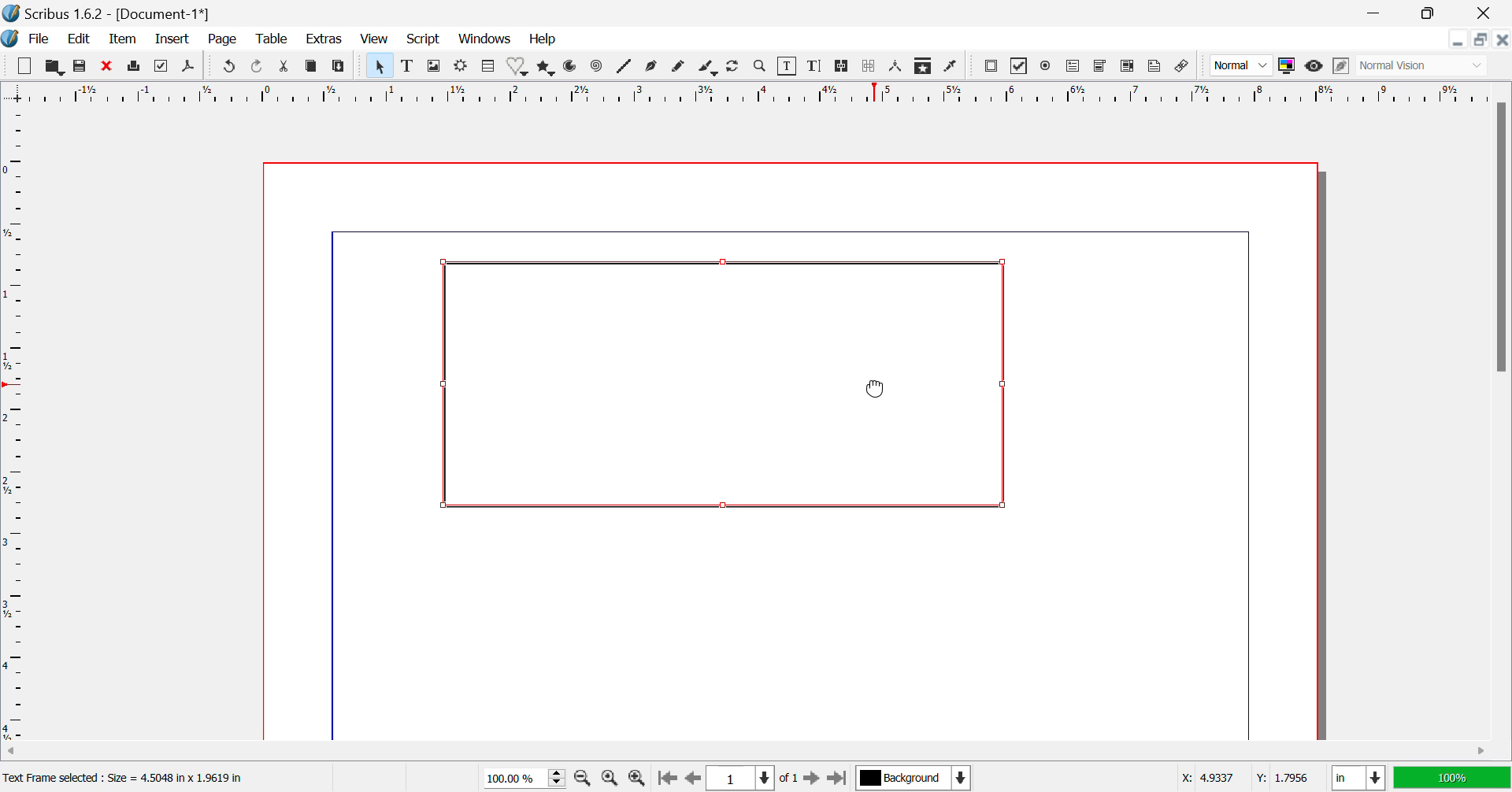 Image resolution: width=1512 pixels, height=792 pixels. What do you see at coordinates (707, 68) in the screenshot?
I see `Calligraphic Line` at bounding box center [707, 68].